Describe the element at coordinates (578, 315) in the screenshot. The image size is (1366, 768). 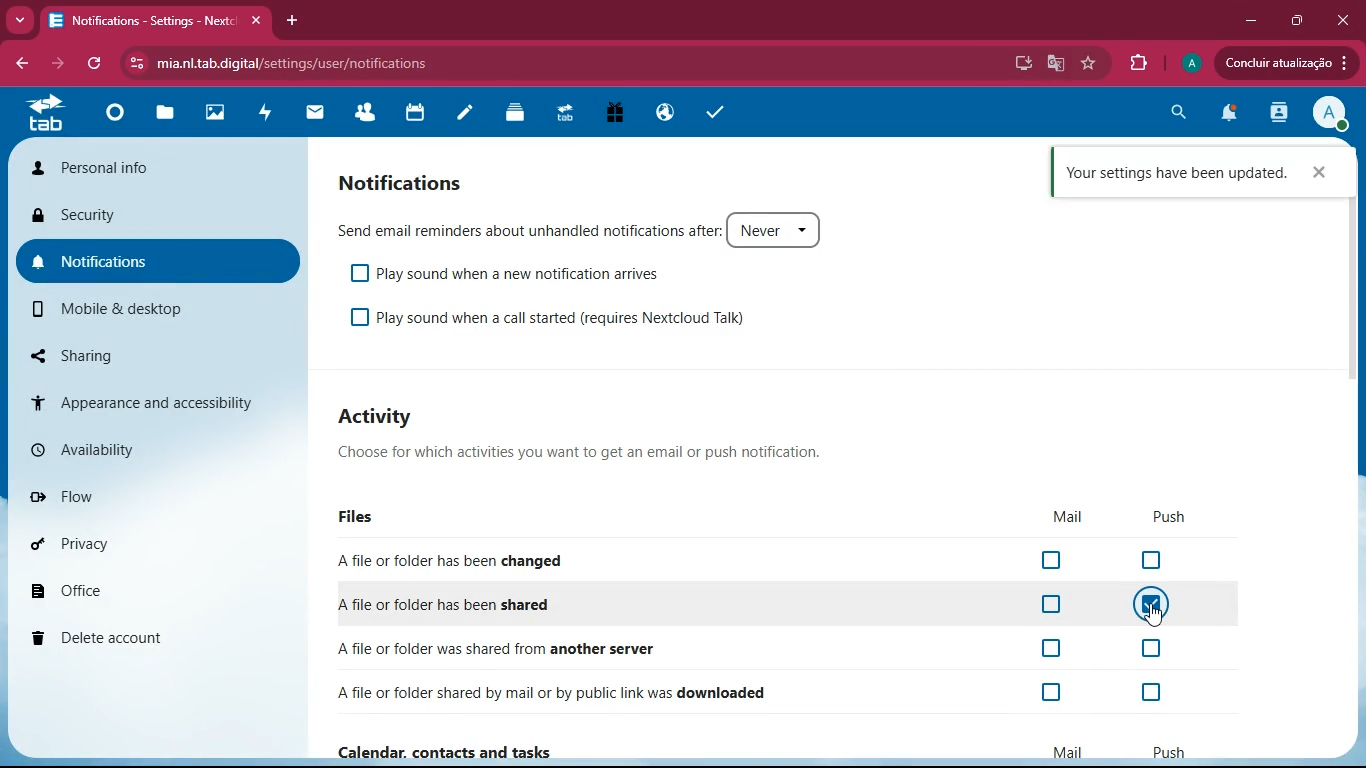
I see `play sound` at that location.